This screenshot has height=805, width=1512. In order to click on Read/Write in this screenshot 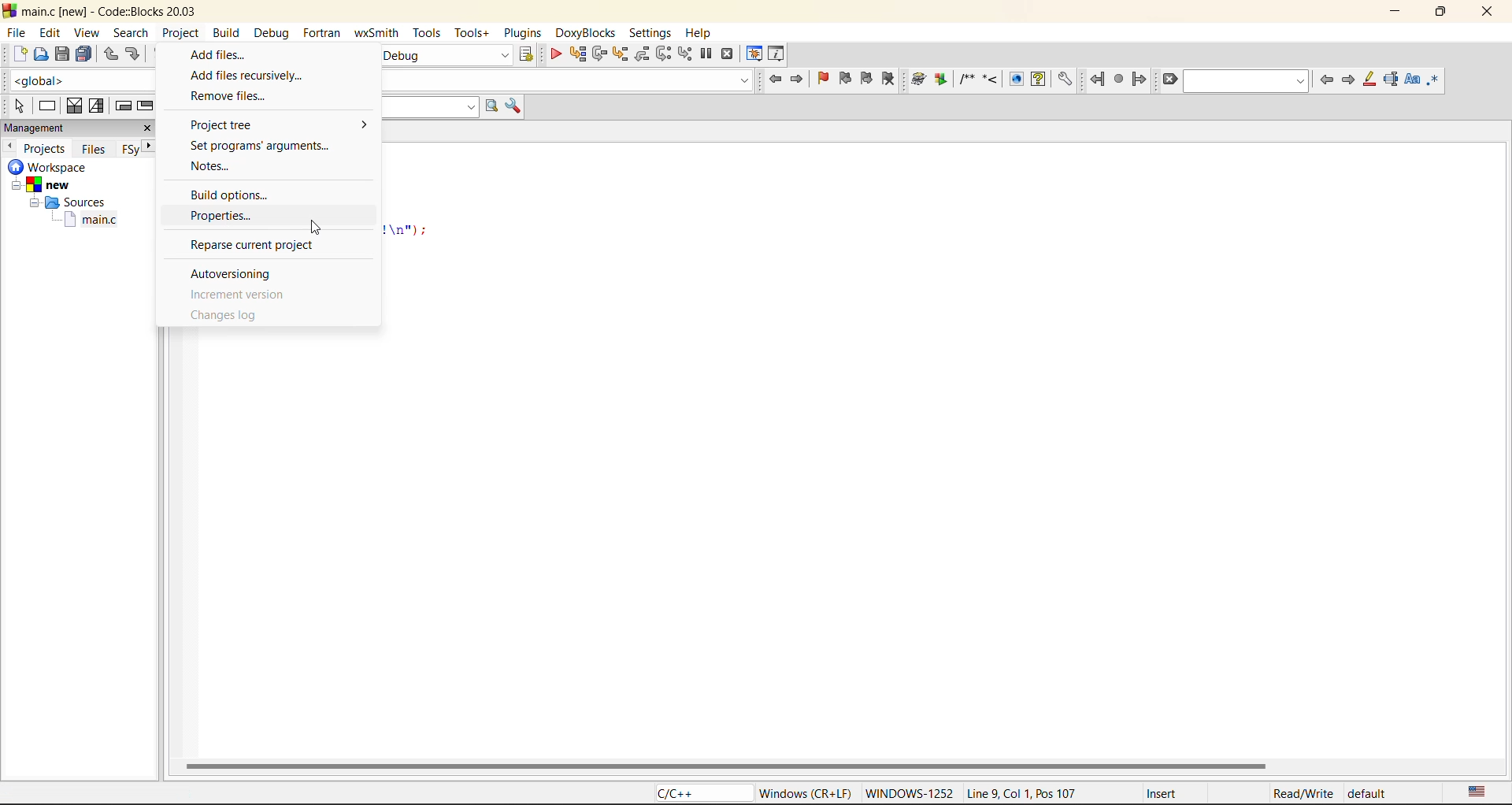, I will do `click(1301, 792)`.